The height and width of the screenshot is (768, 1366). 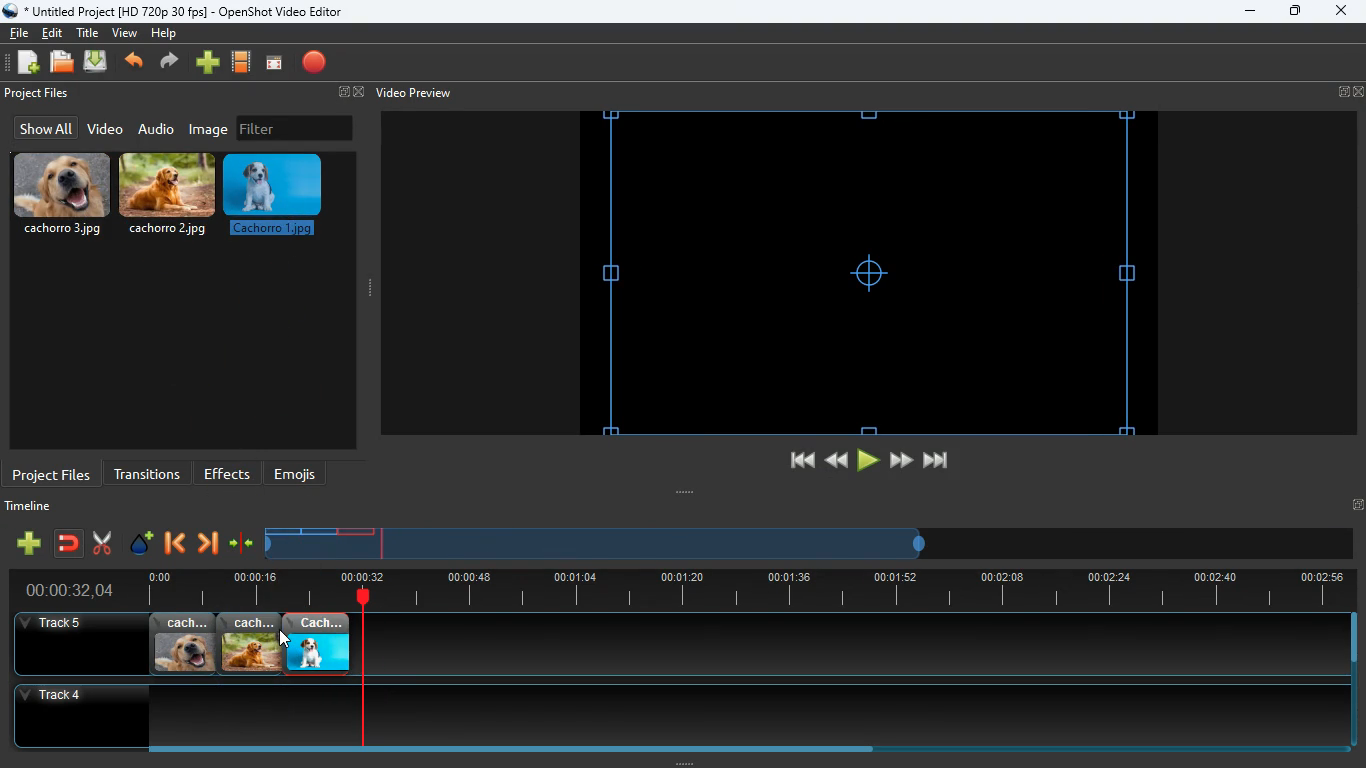 I want to click on cachorro.2.jpg, so click(x=250, y=644).